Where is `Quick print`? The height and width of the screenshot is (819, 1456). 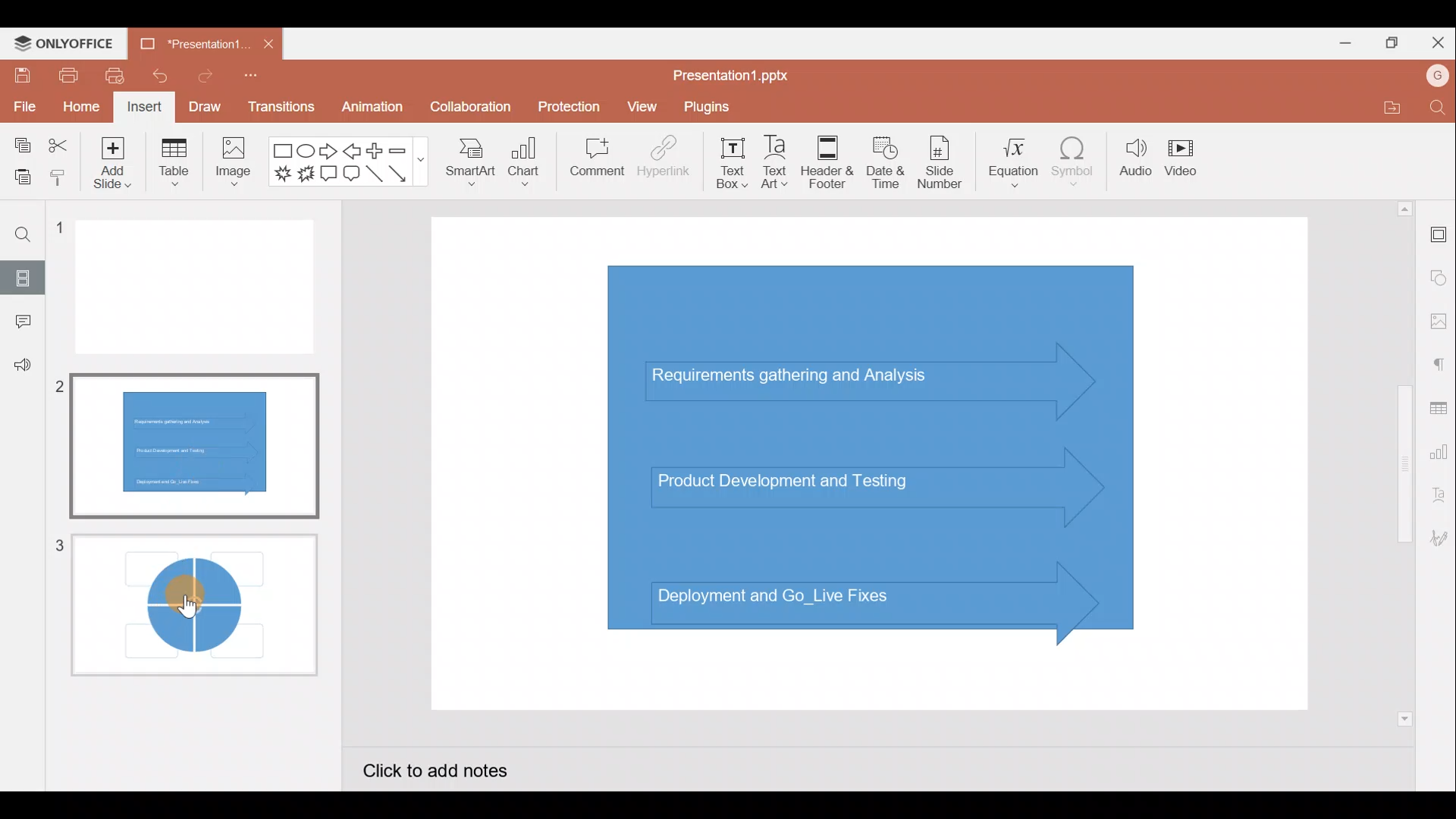
Quick print is located at coordinates (115, 76).